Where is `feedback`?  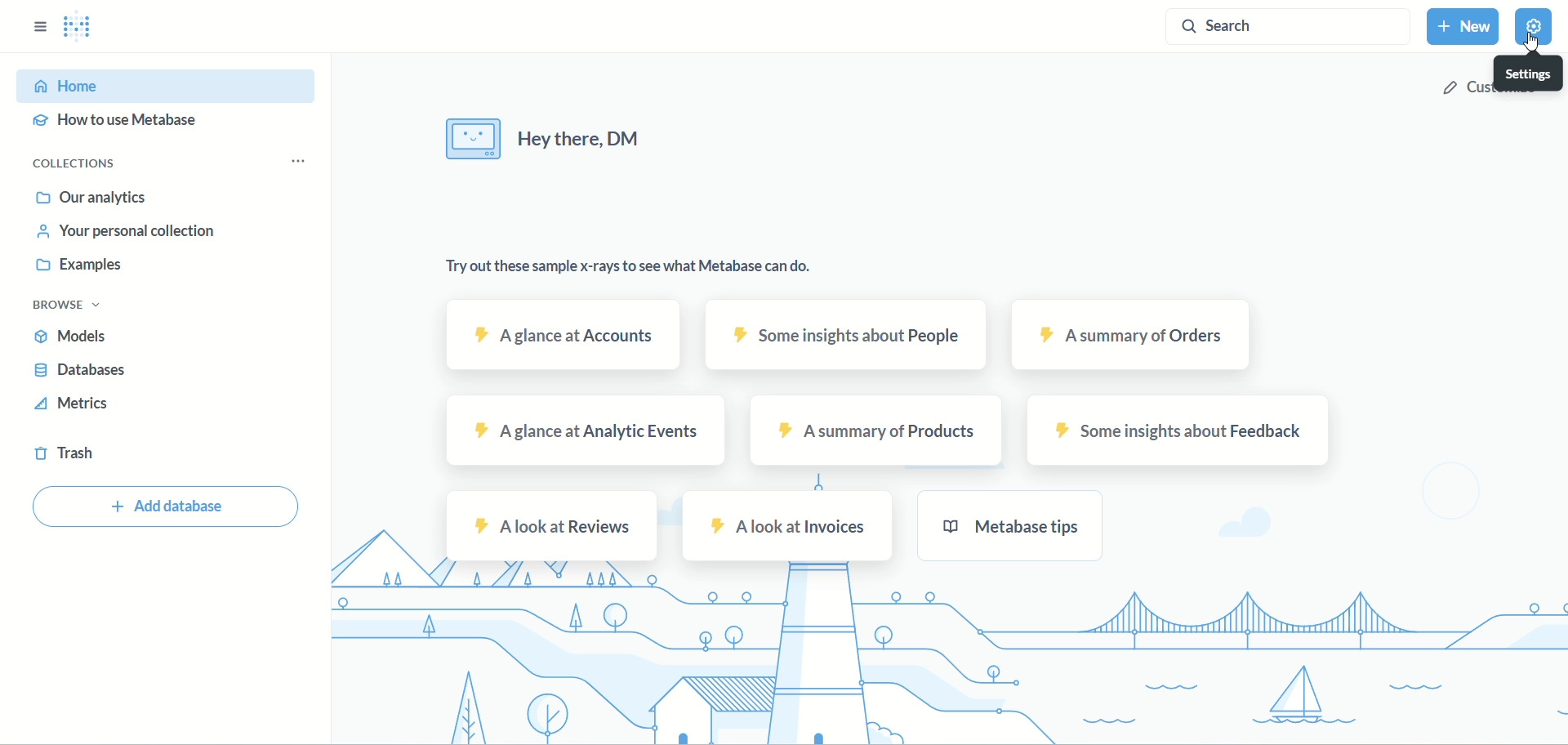 feedback is located at coordinates (1178, 430).